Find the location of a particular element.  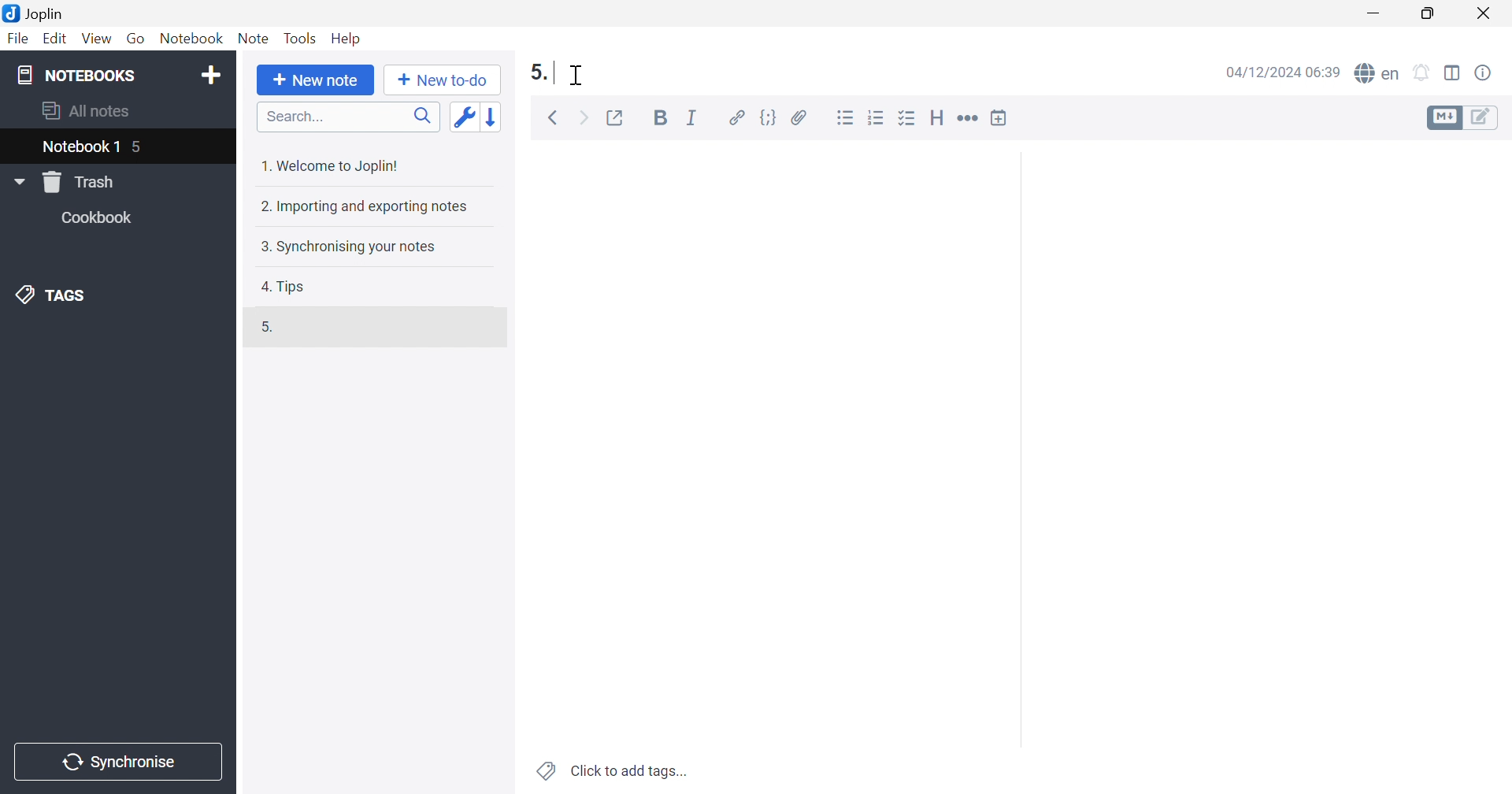

Checkbox is located at coordinates (908, 119).